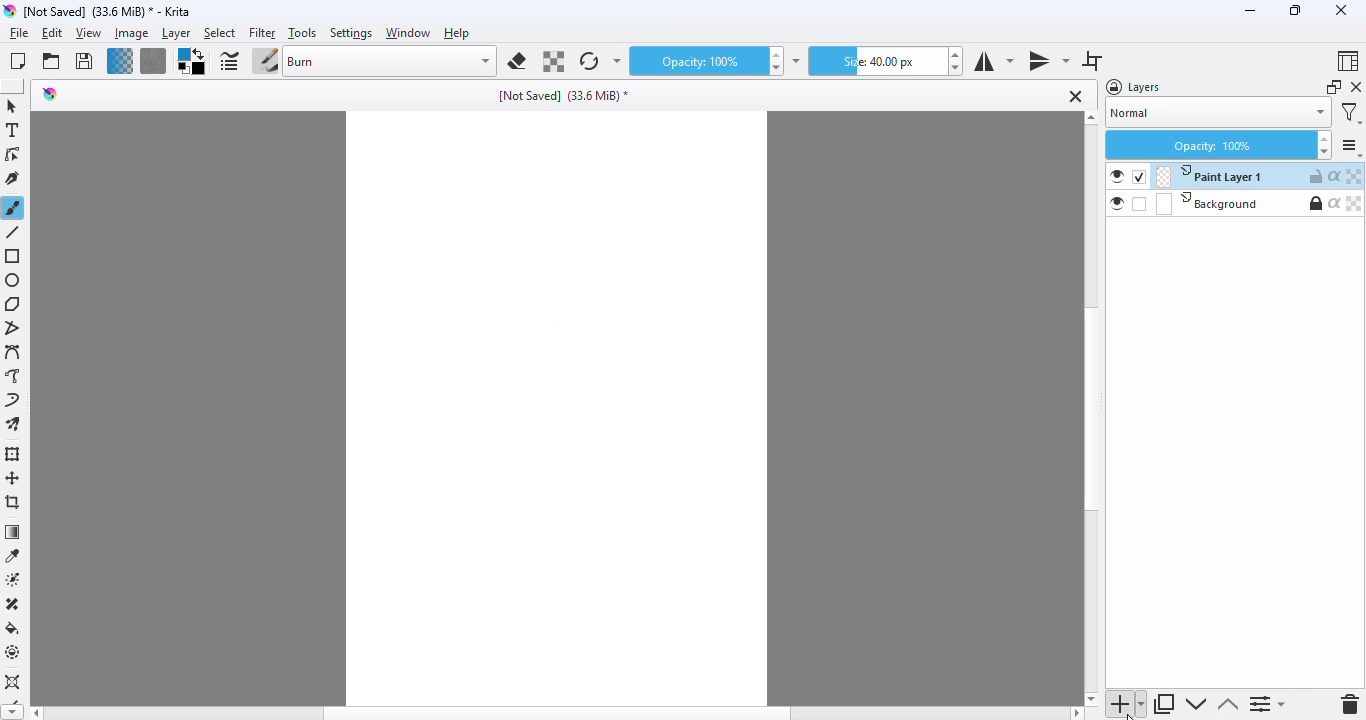 This screenshot has height=720, width=1366. What do you see at coordinates (88, 34) in the screenshot?
I see `view` at bounding box center [88, 34].